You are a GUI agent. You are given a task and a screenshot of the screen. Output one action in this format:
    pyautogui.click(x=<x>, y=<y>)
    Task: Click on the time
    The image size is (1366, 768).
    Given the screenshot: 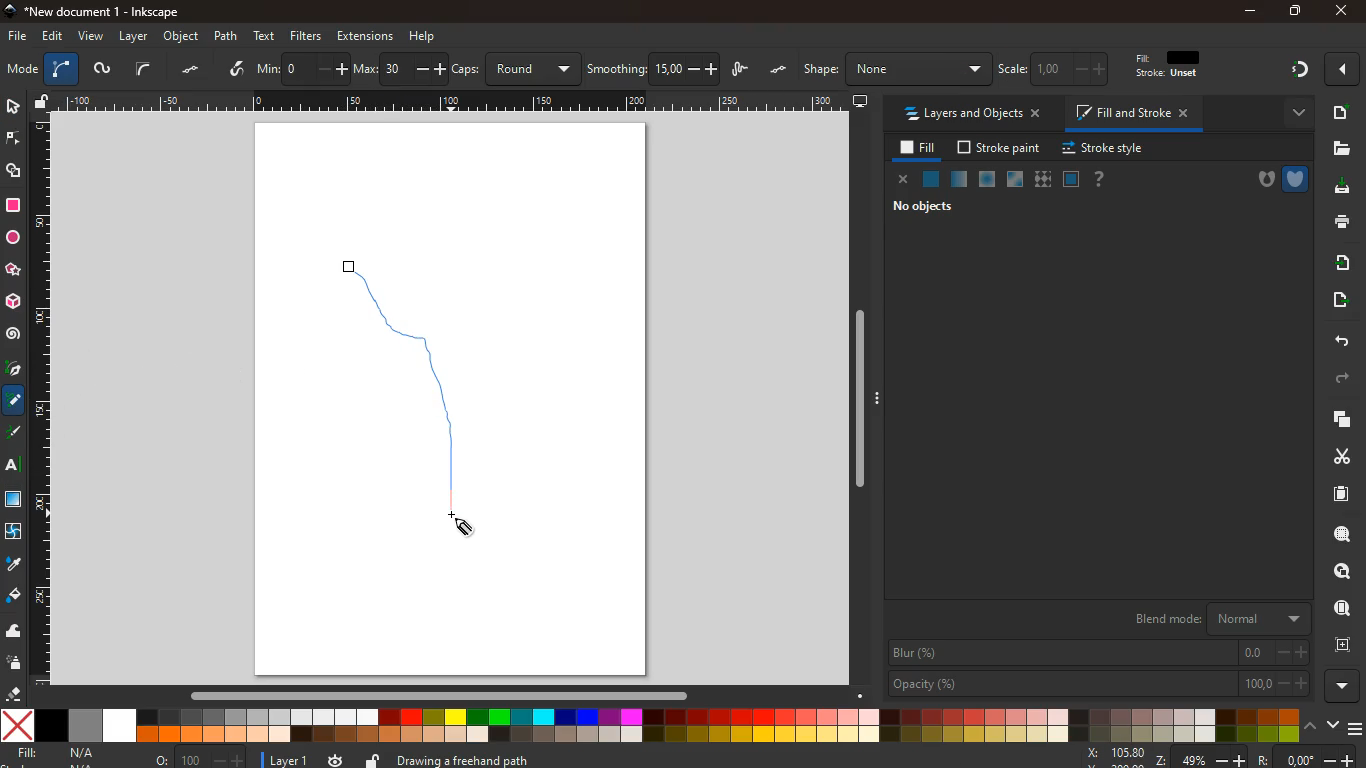 What is the action you would take?
    pyautogui.click(x=336, y=760)
    